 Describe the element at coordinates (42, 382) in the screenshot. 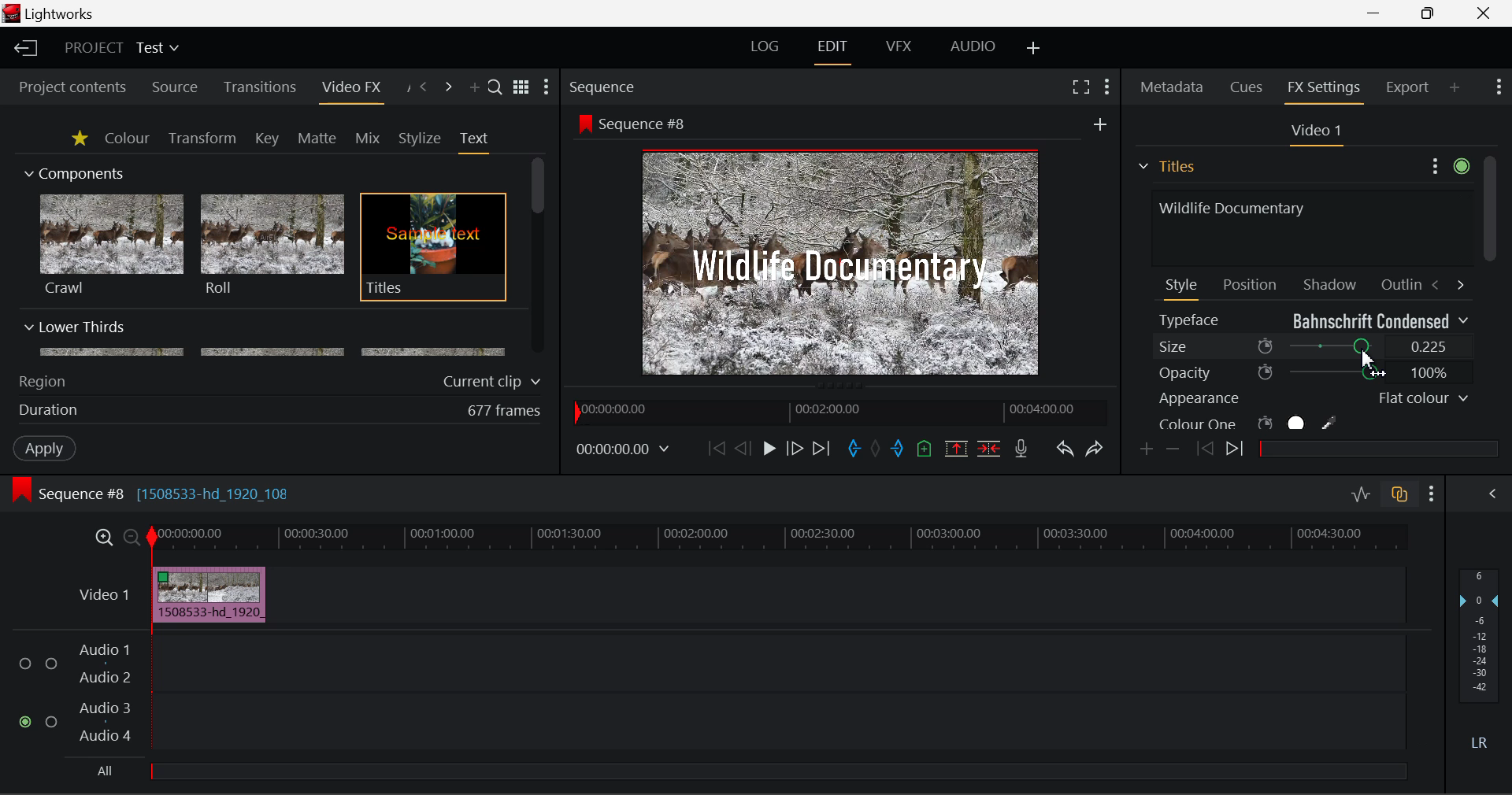

I see `Region` at that location.